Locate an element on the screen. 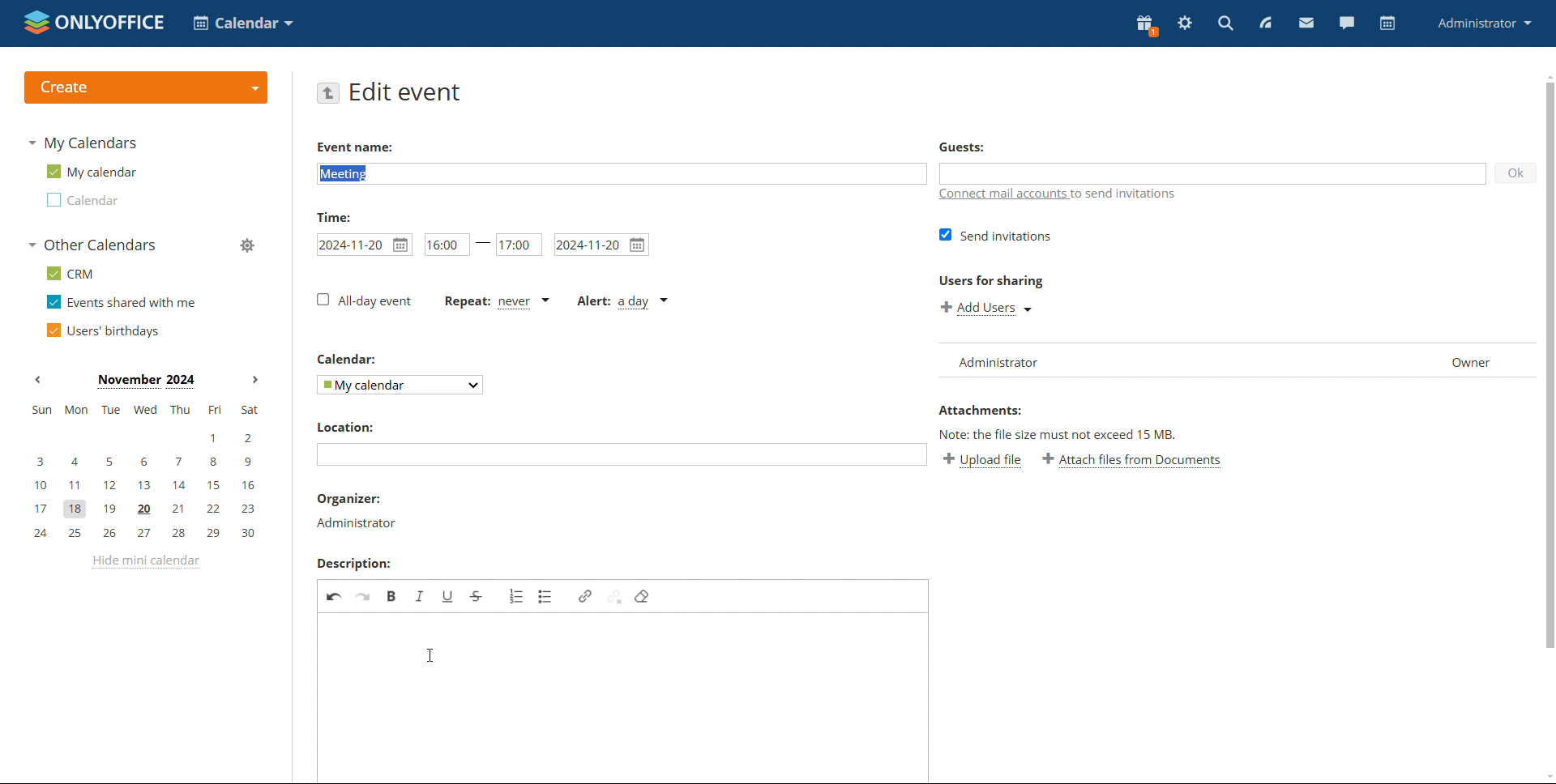 The height and width of the screenshot is (784, 1556). add guests is located at coordinates (1212, 174).